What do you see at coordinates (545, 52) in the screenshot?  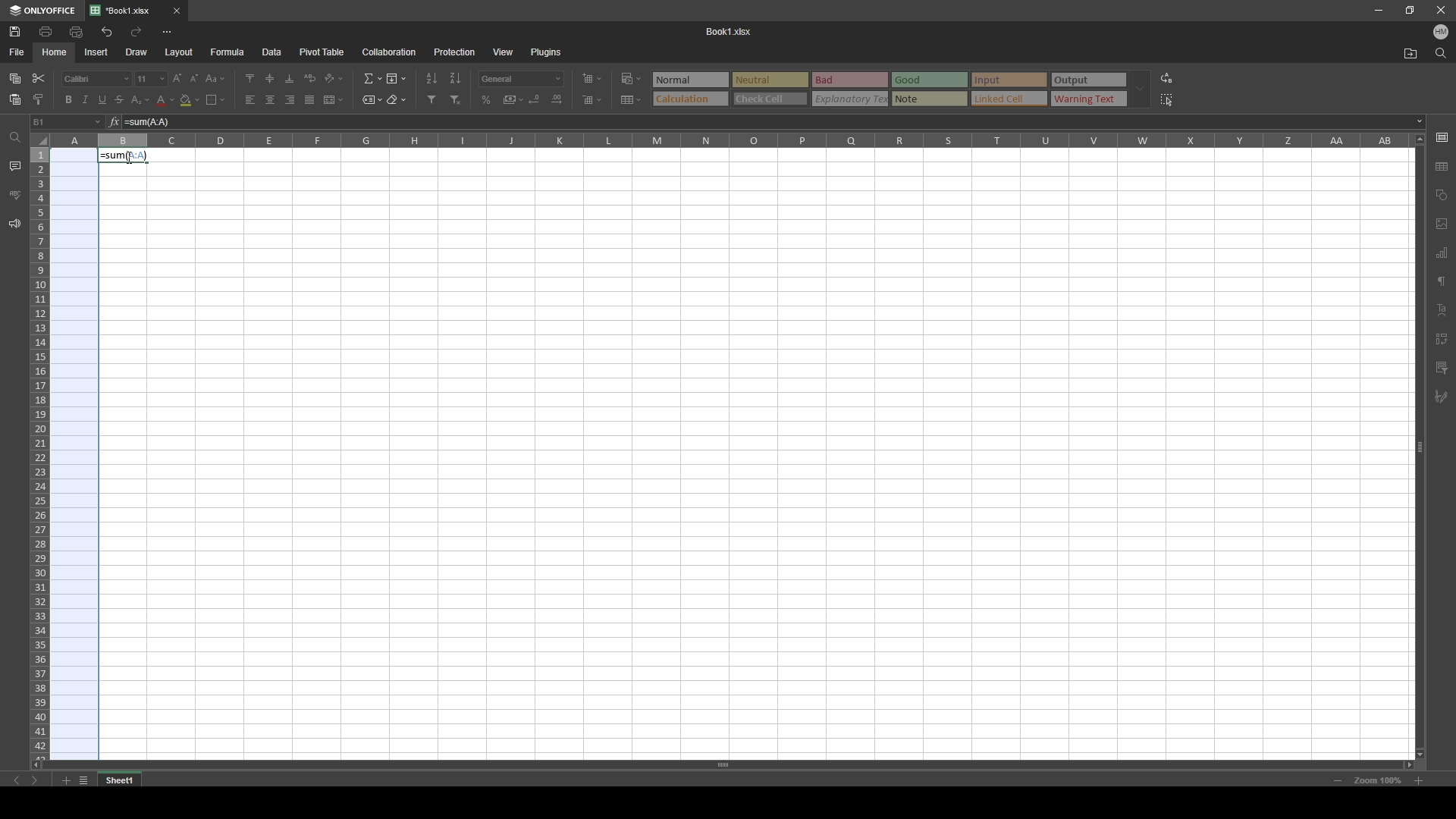 I see `plugins` at bounding box center [545, 52].